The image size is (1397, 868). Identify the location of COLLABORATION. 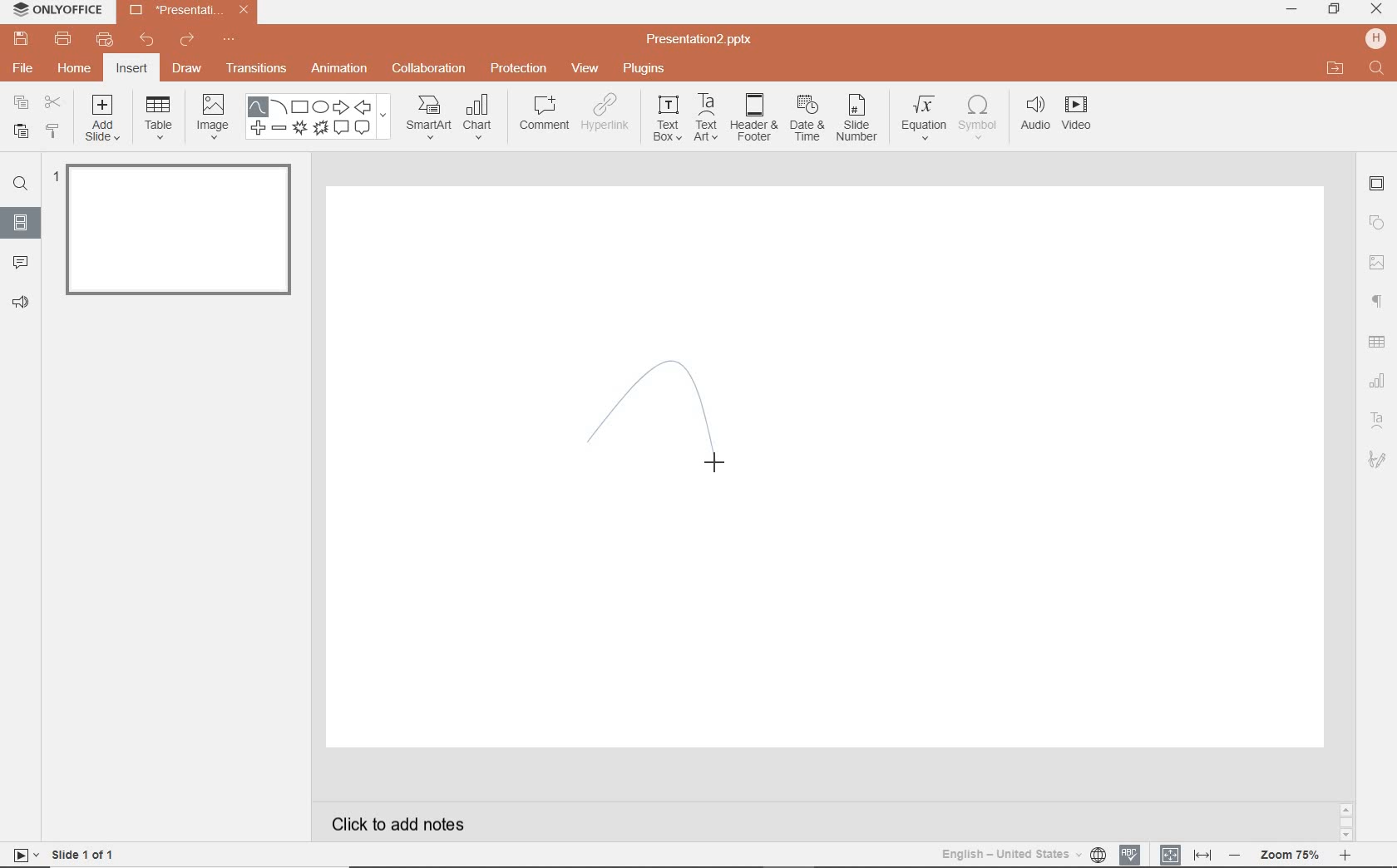
(429, 67).